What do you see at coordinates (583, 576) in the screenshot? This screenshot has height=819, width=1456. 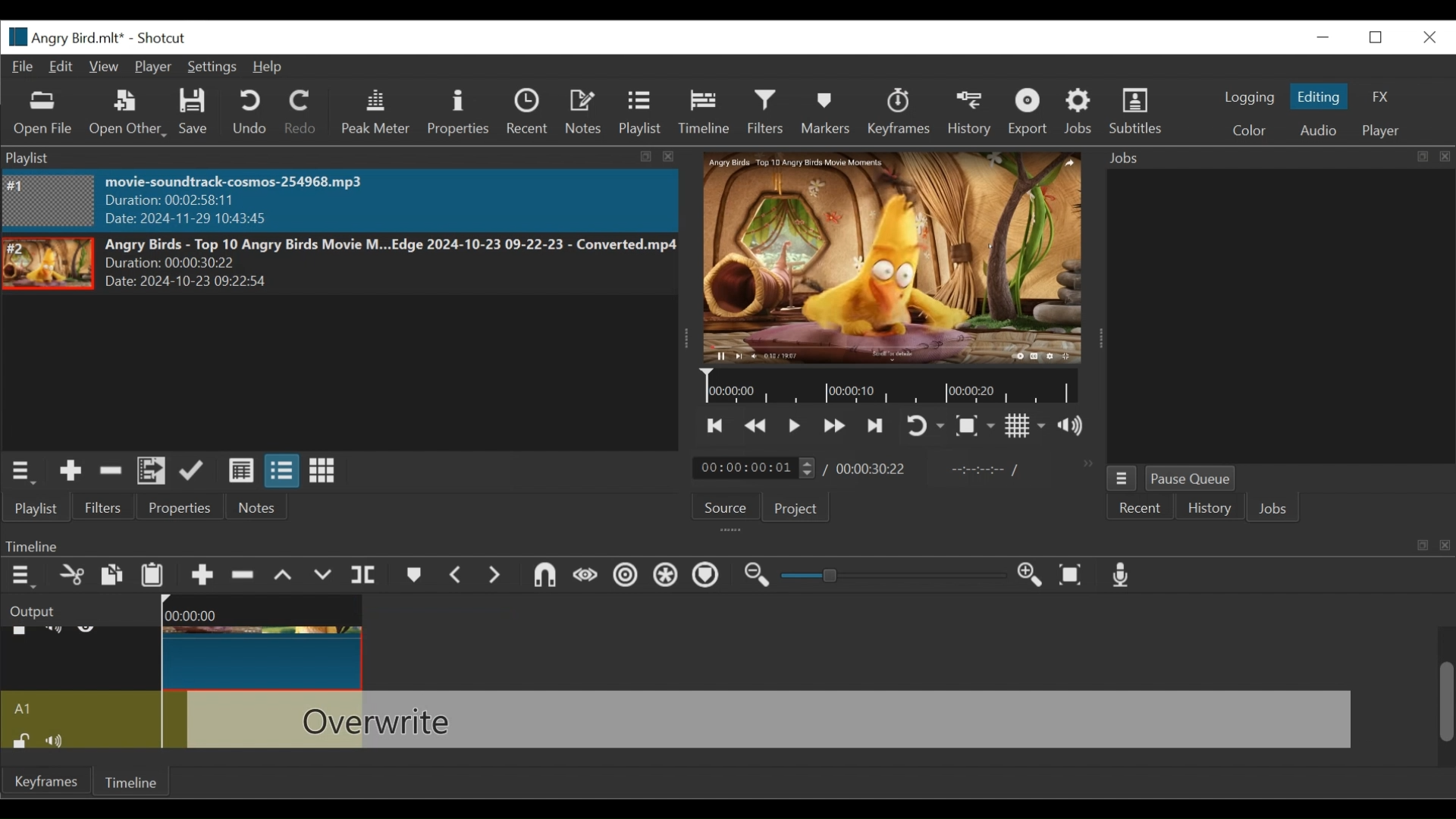 I see `Scrub while dragging` at bounding box center [583, 576].